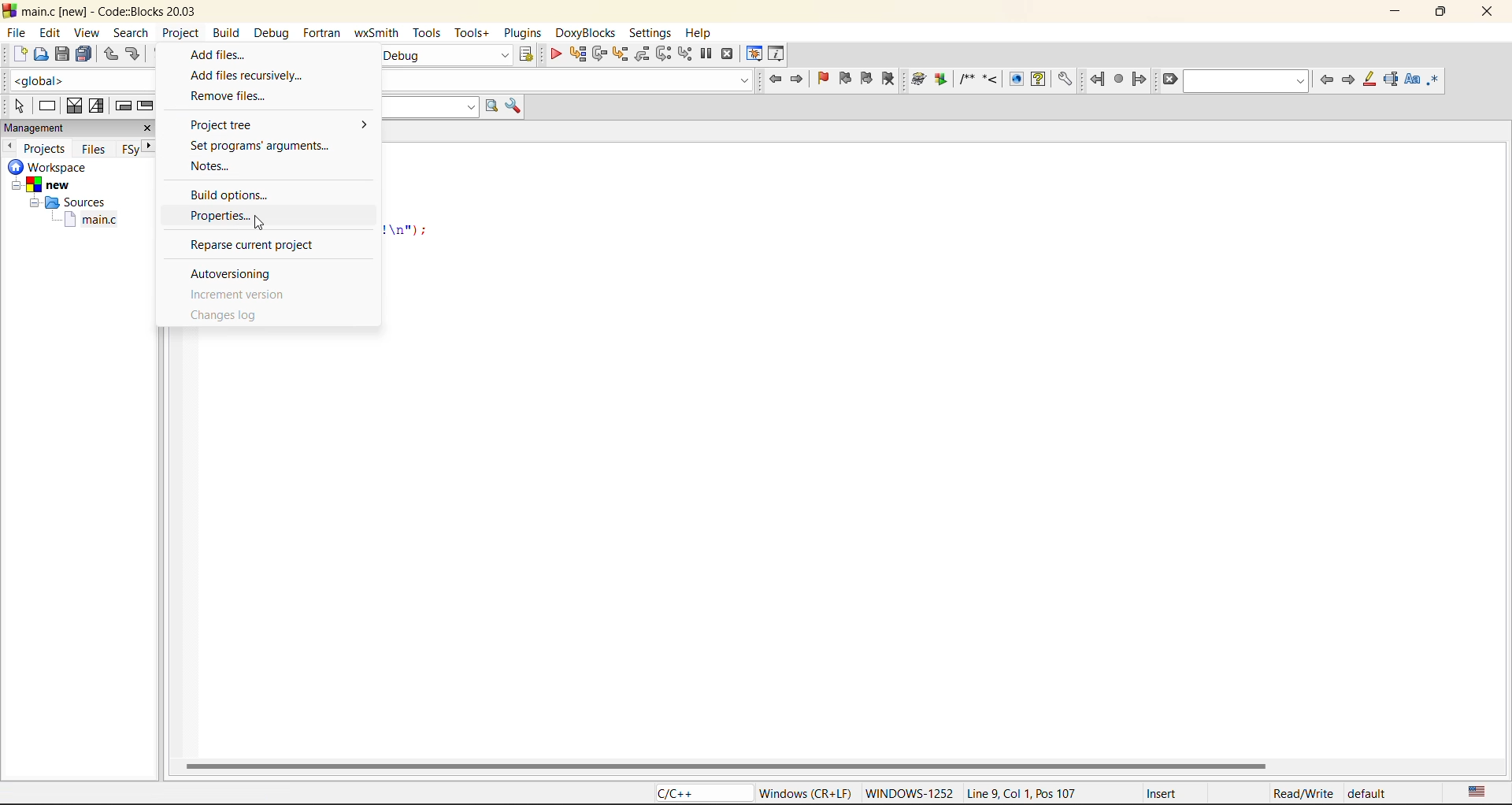 The image size is (1512, 805). Describe the element at coordinates (240, 97) in the screenshot. I see `remove files` at that location.